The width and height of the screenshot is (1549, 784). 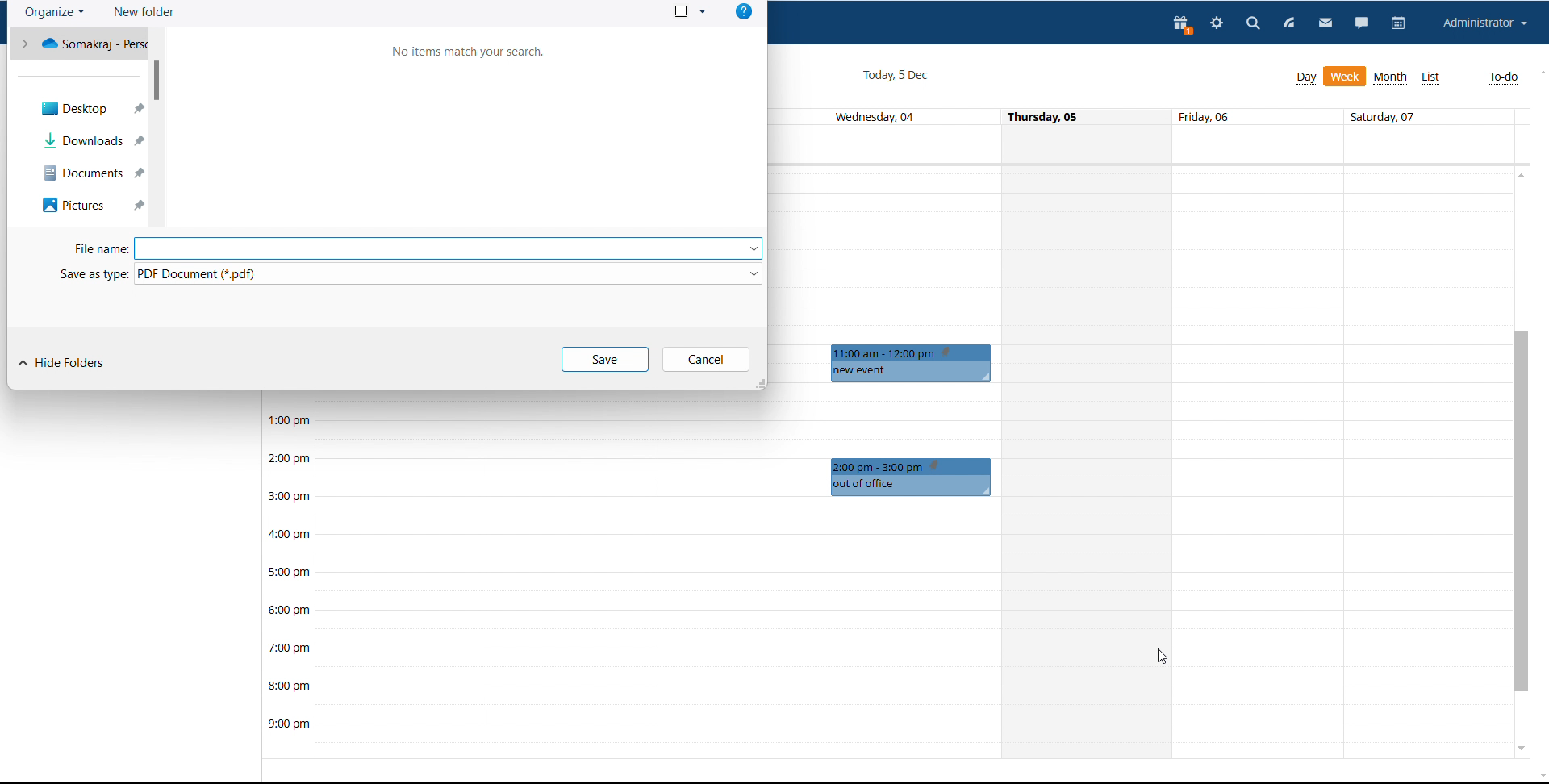 I want to click on days, so click(x=1140, y=117).